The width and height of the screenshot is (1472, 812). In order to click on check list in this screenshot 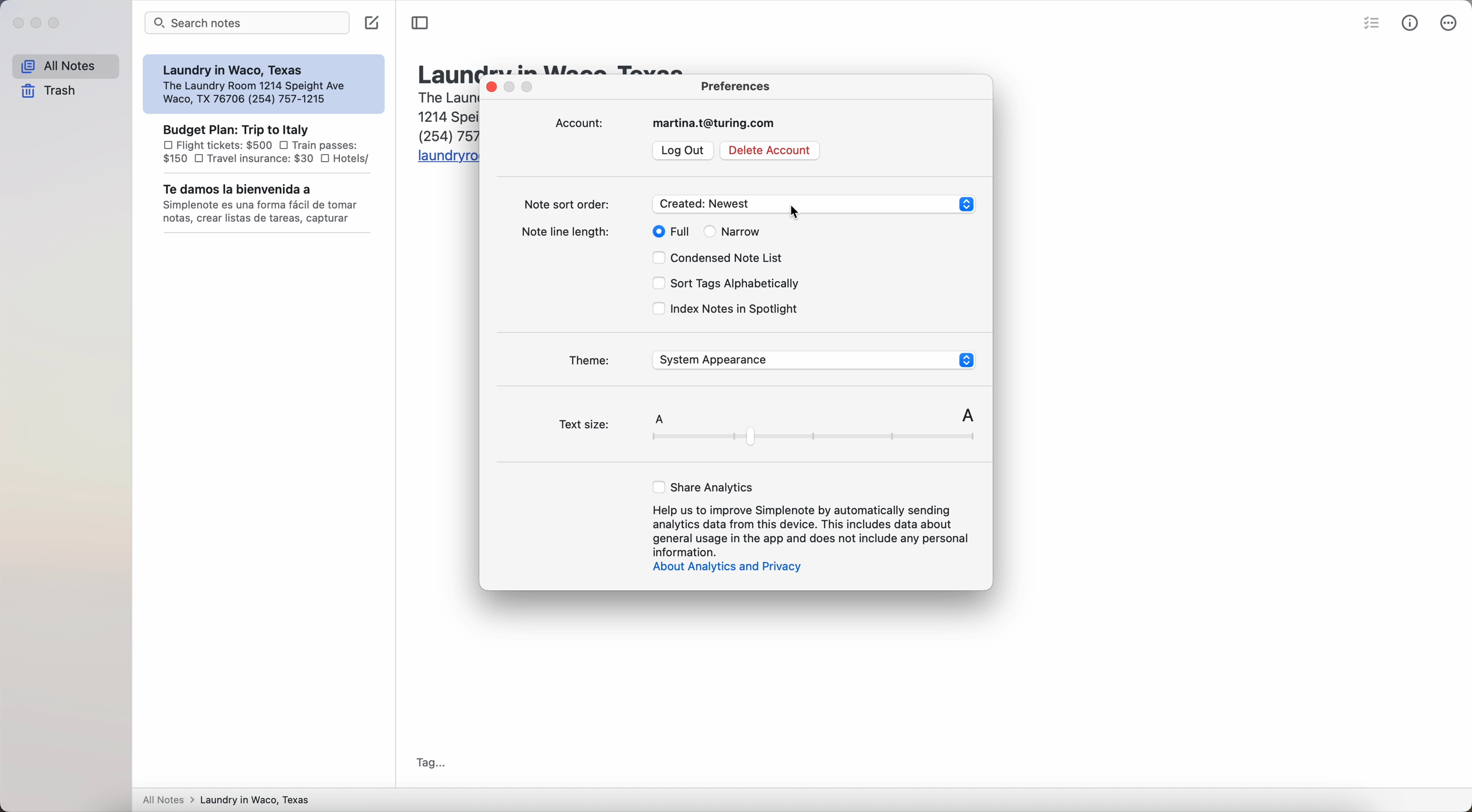, I will do `click(1374, 22)`.